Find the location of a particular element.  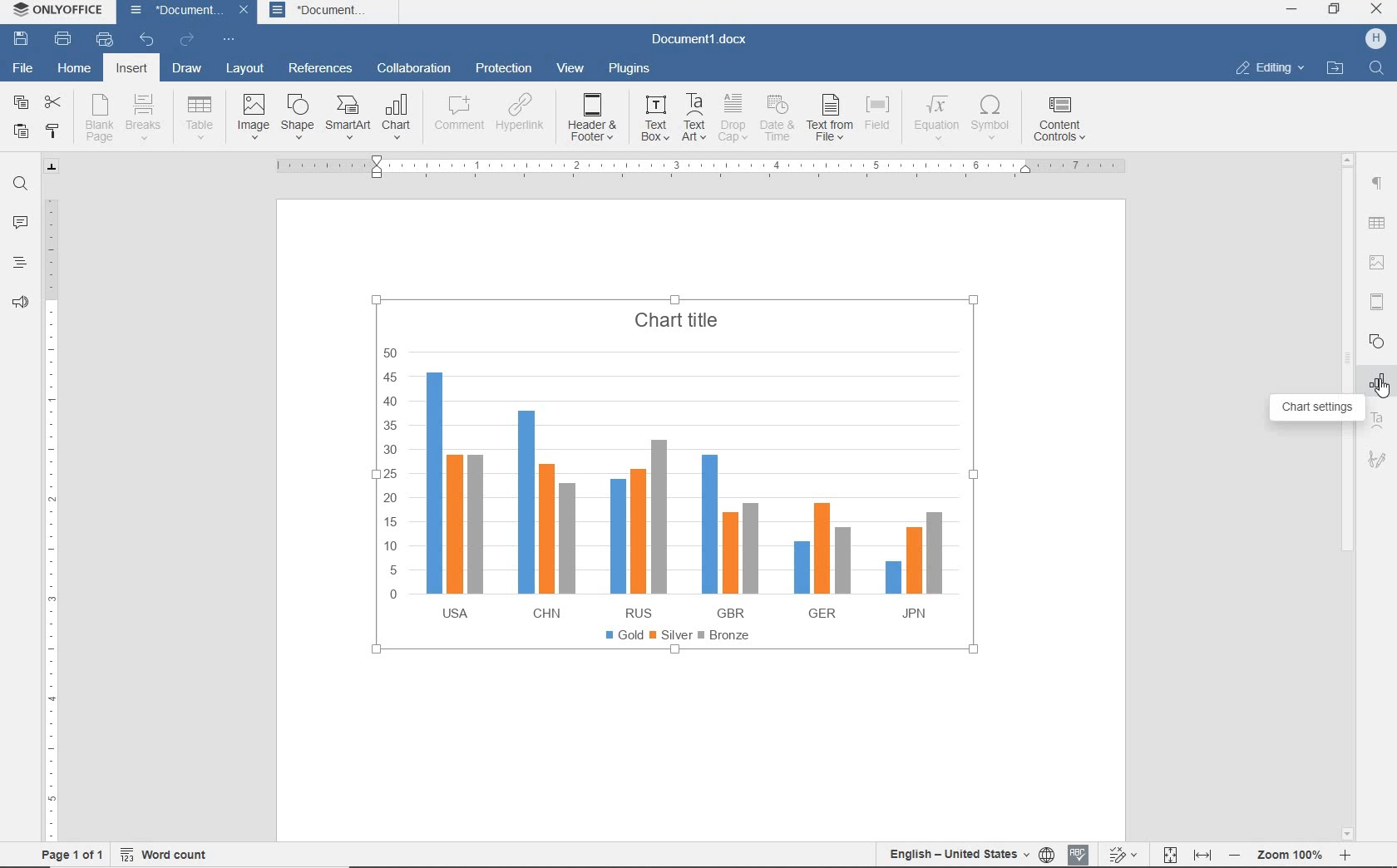

fit to width is located at coordinates (1202, 855).